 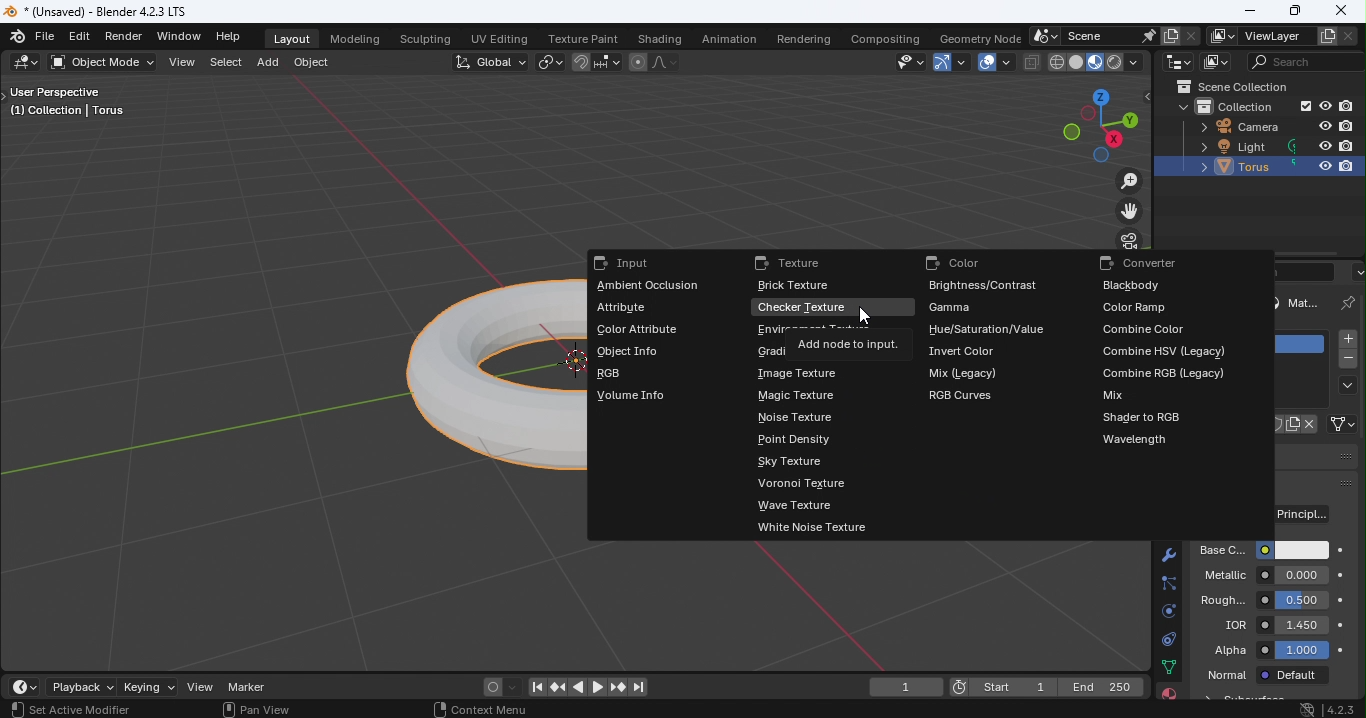 I want to click on Camera, so click(x=1233, y=126).